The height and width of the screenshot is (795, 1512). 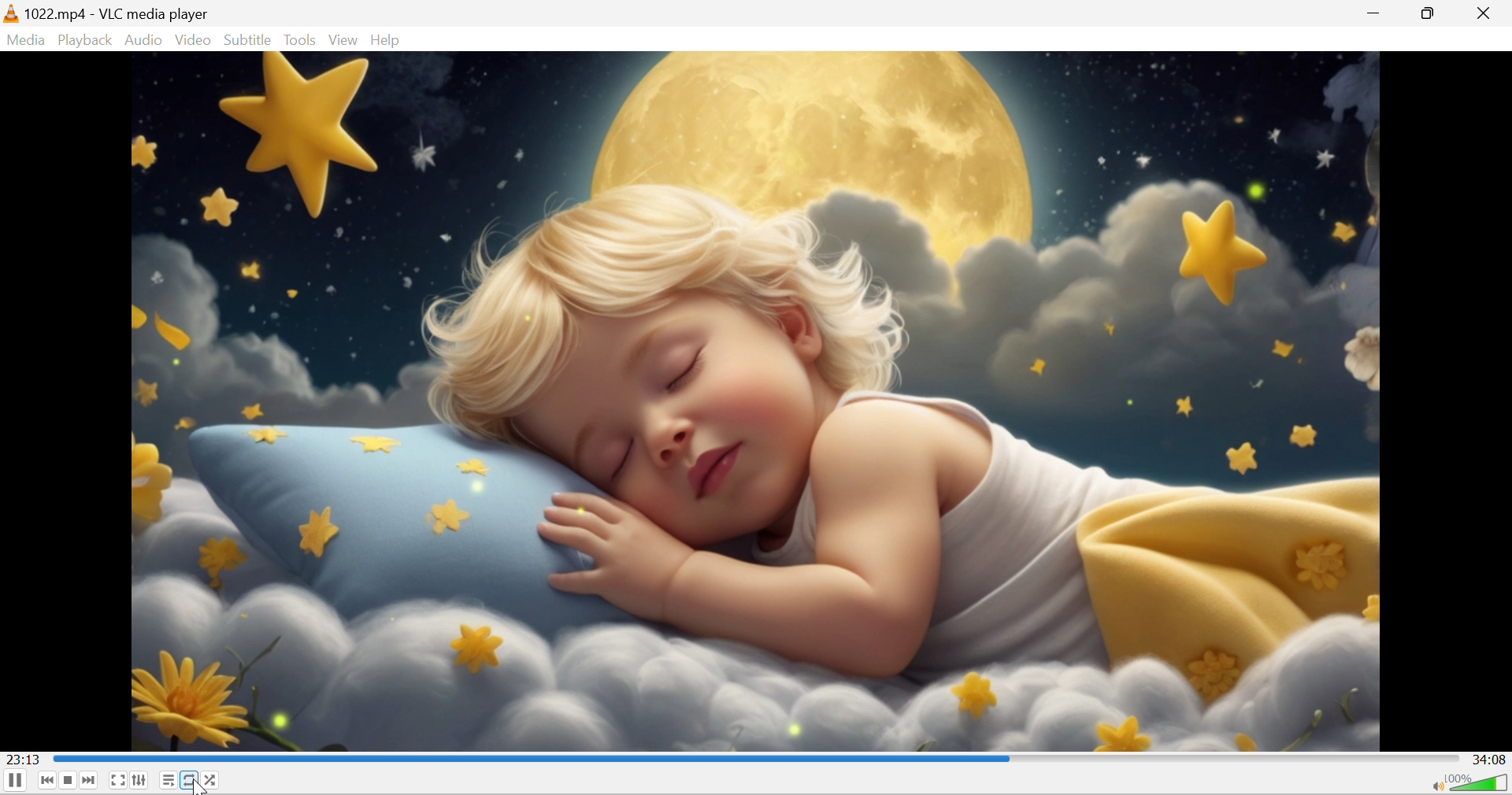 I want to click on Tools, so click(x=302, y=39).